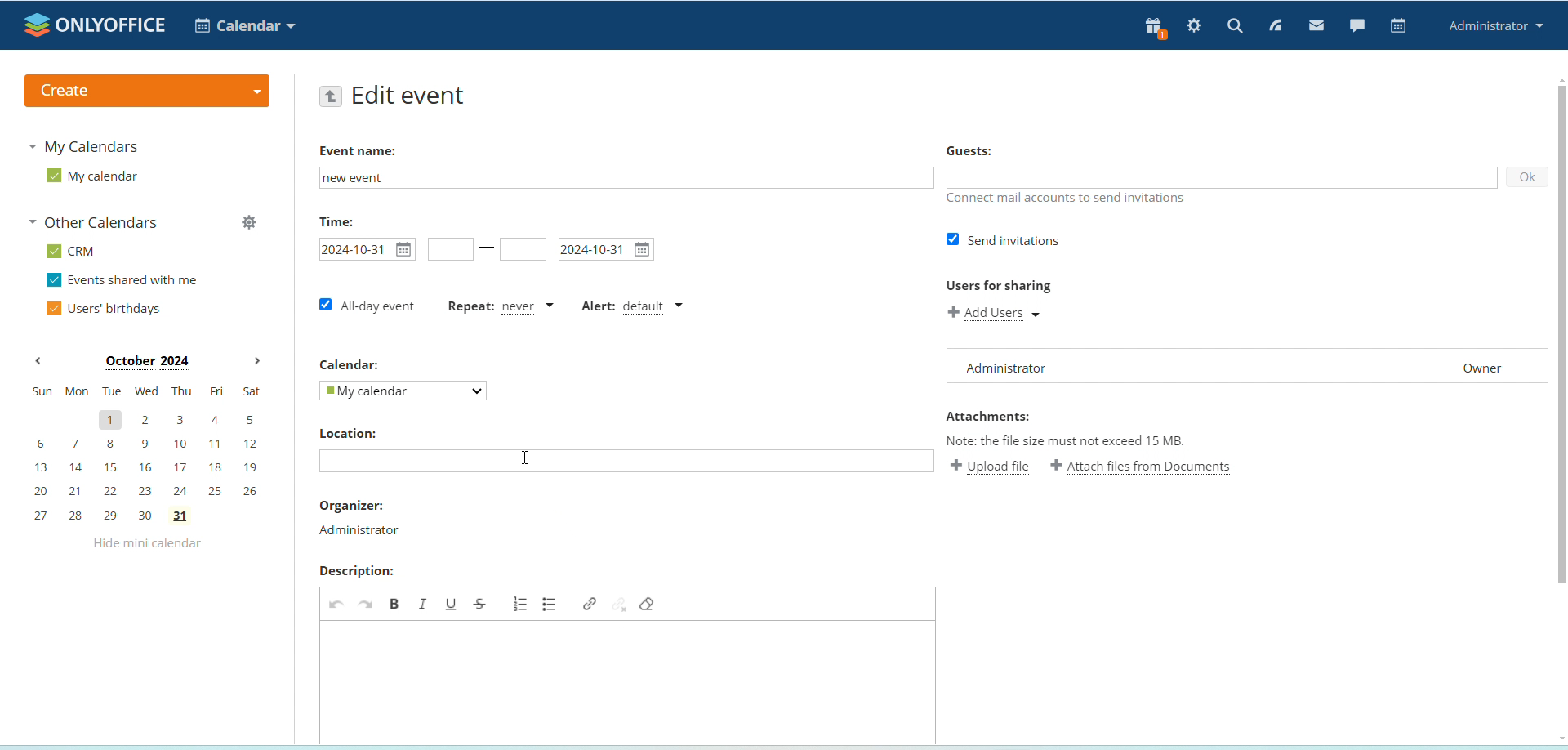 The width and height of the screenshot is (1568, 750). Describe the element at coordinates (997, 287) in the screenshot. I see `Users for sharing` at that location.